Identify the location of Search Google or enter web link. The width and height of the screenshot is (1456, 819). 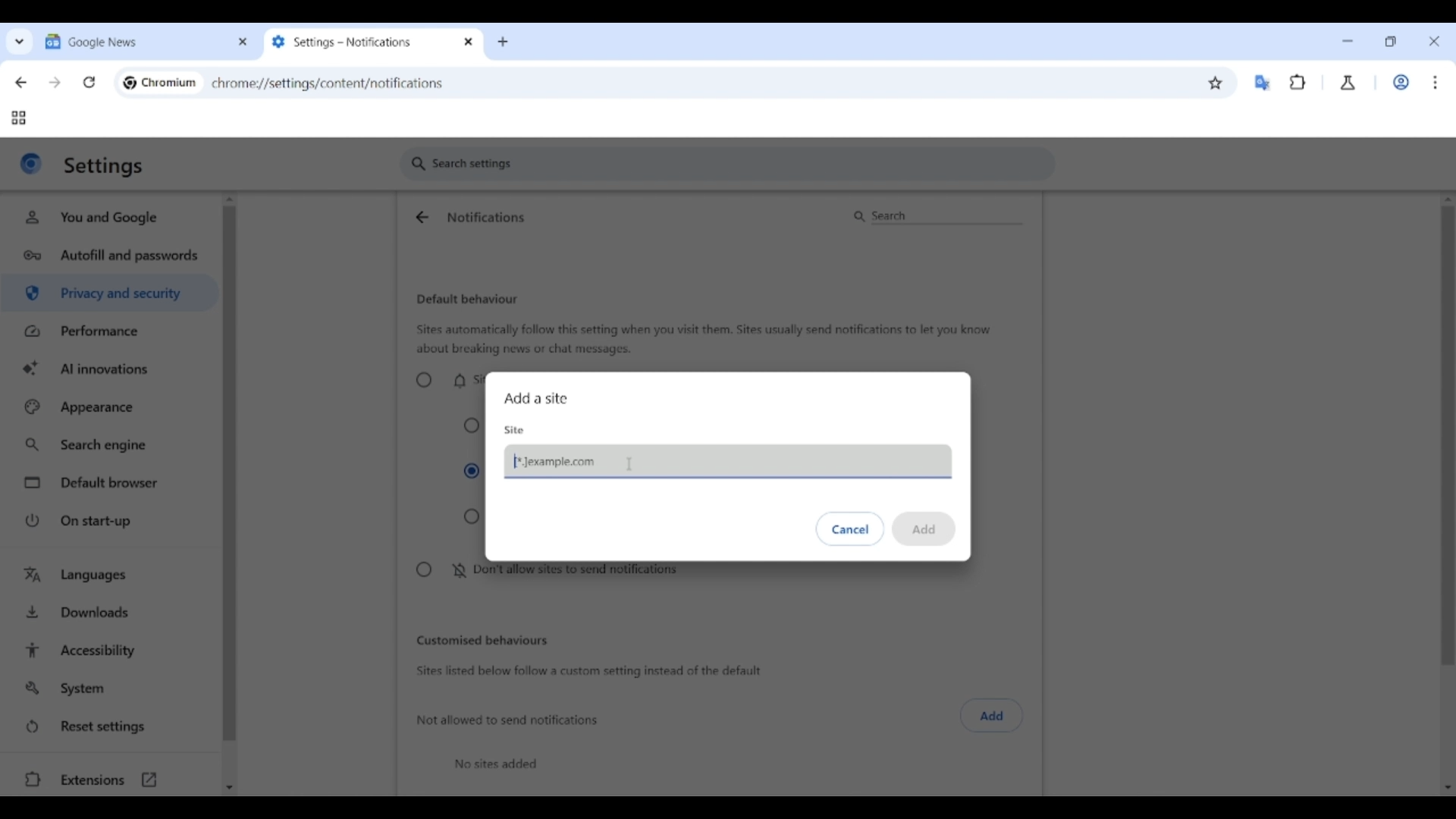
(815, 83).